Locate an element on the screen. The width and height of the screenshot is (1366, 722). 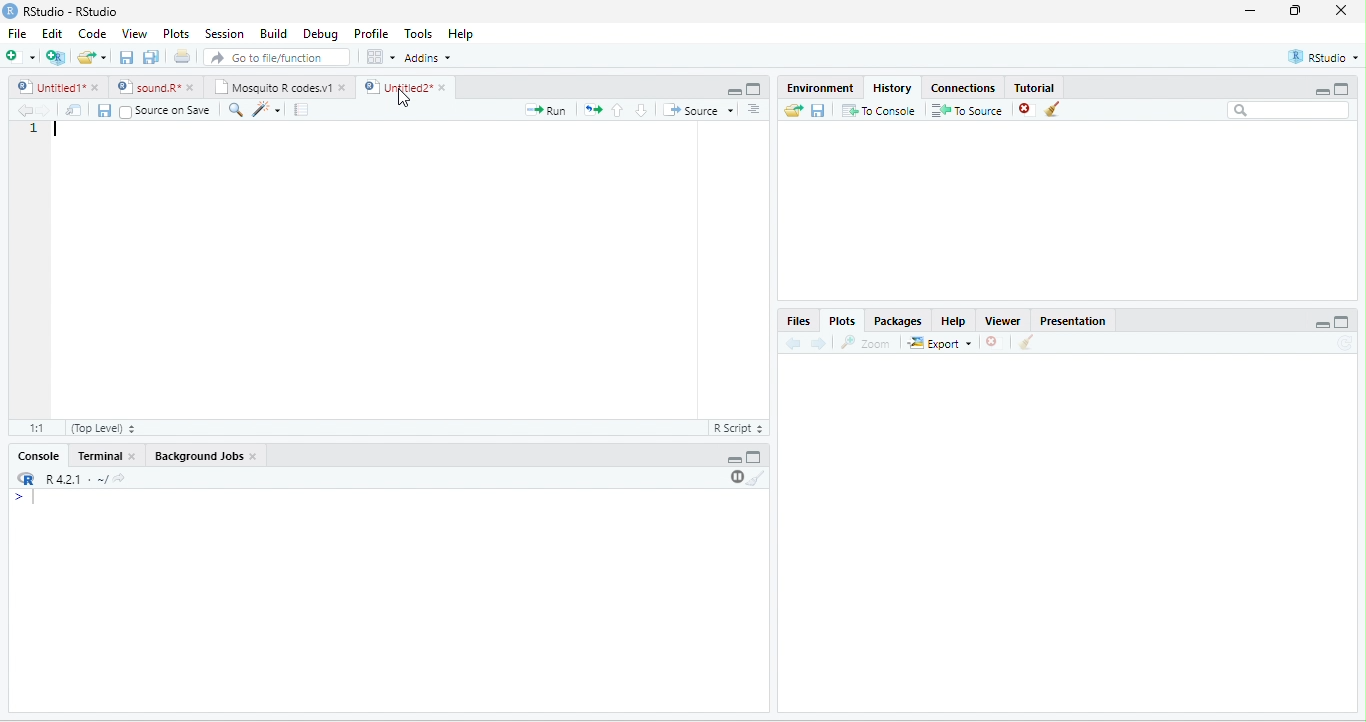
new project is located at coordinates (56, 58).